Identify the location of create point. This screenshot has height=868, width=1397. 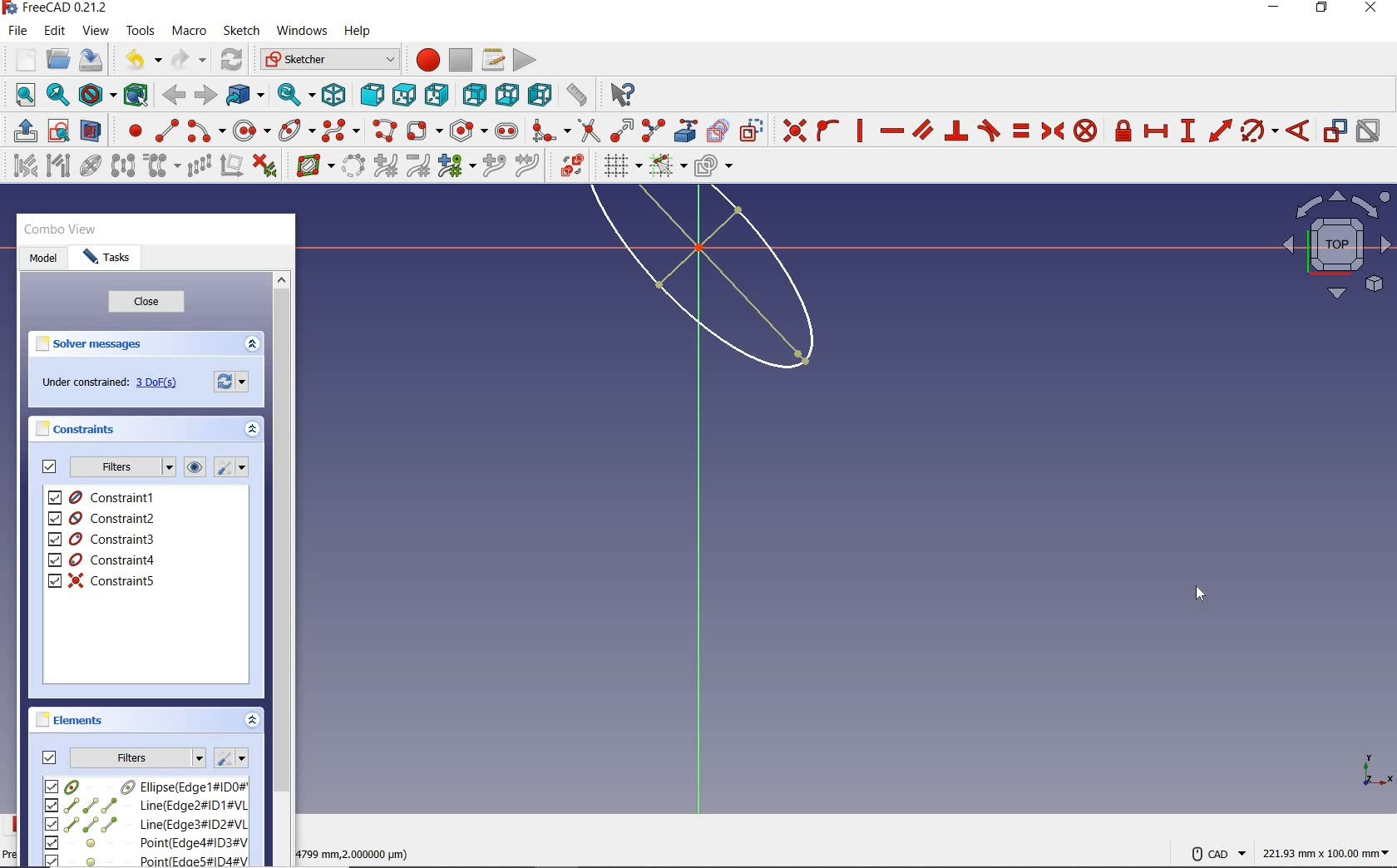
(131, 131).